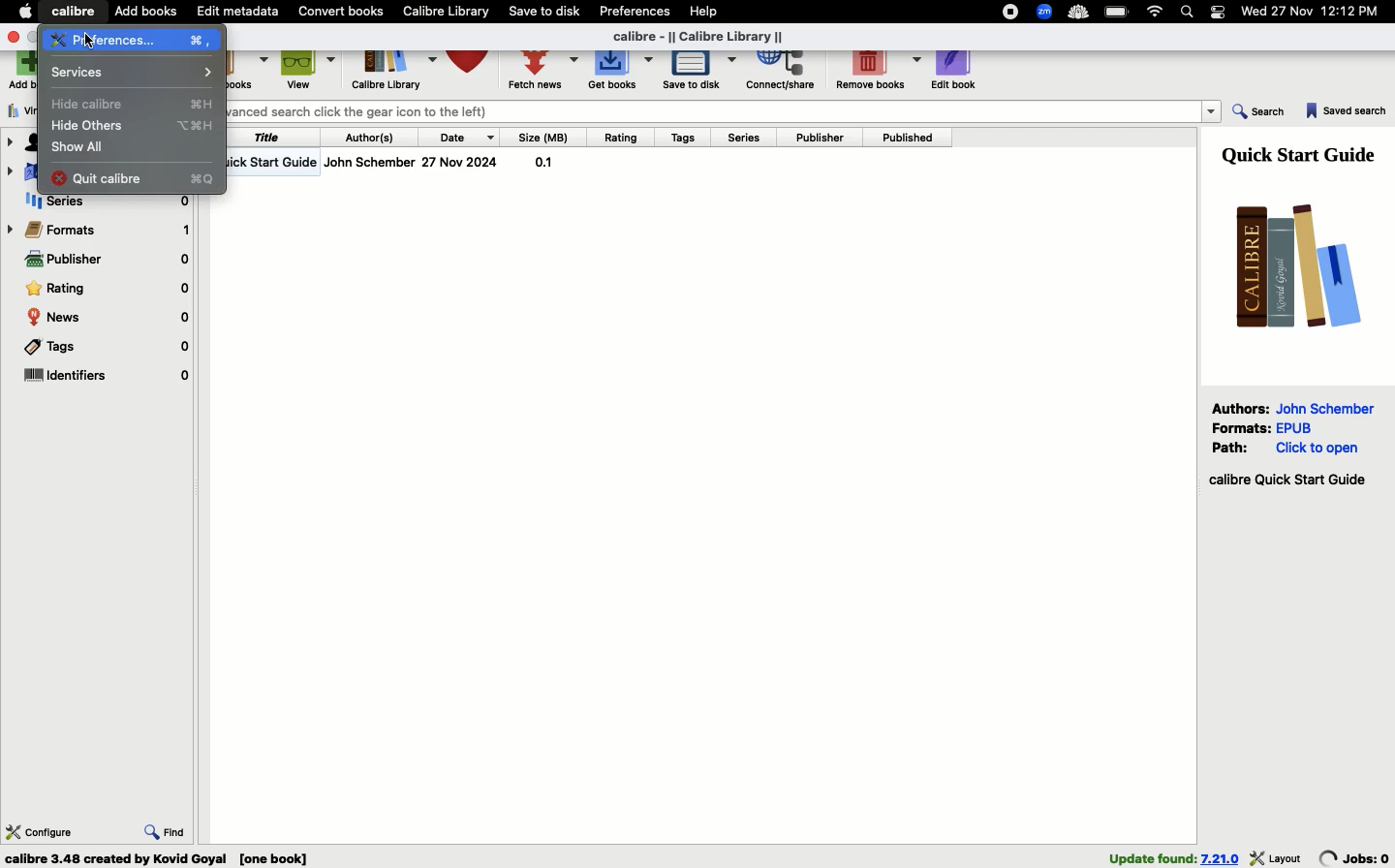 This screenshot has height=868, width=1395. What do you see at coordinates (1260, 112) in the screenshot?
I see `Search` at bounding box center [1260, 112].